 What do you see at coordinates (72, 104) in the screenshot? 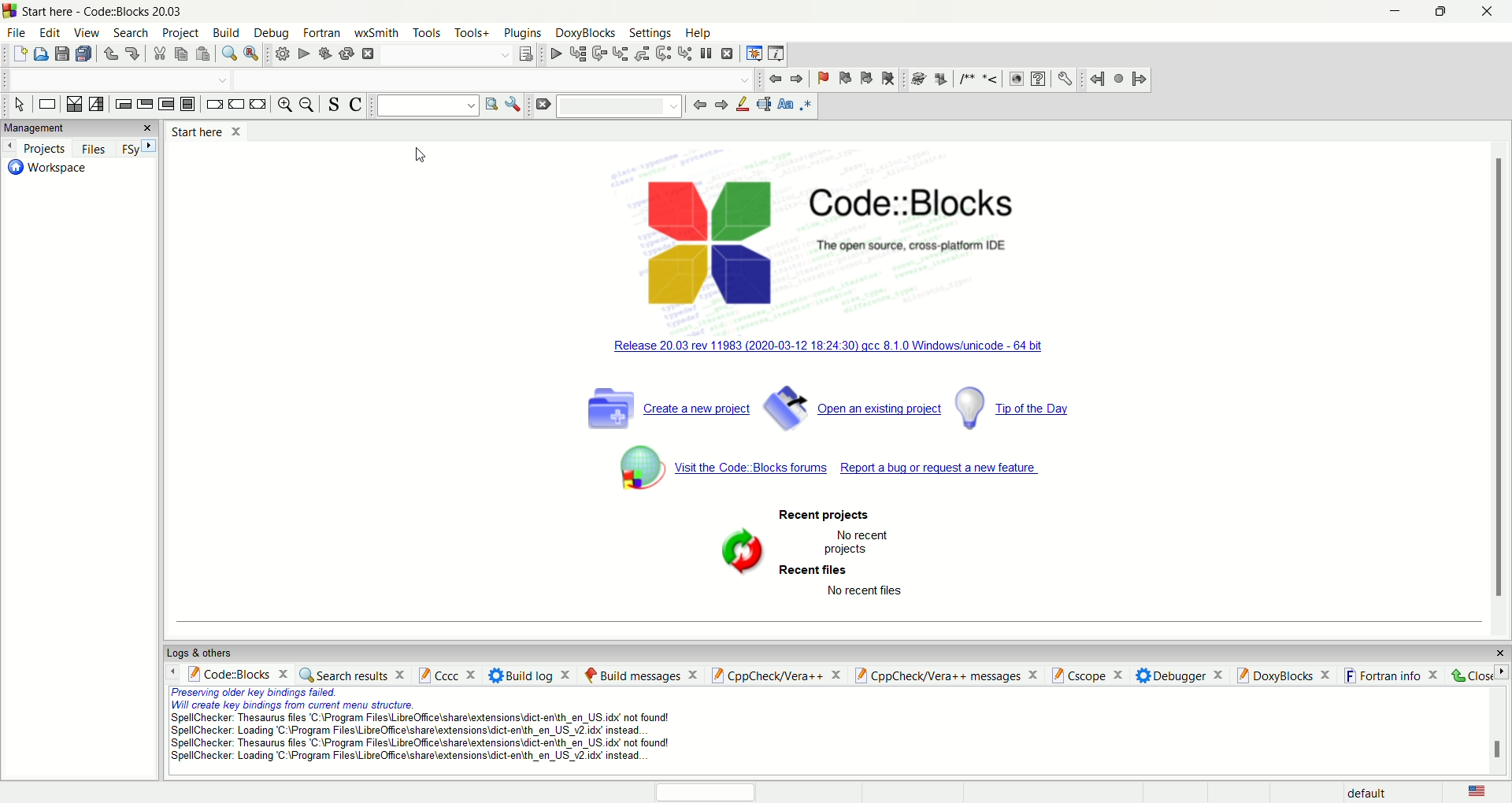
I see `decision` at bounding box center [72, 104].